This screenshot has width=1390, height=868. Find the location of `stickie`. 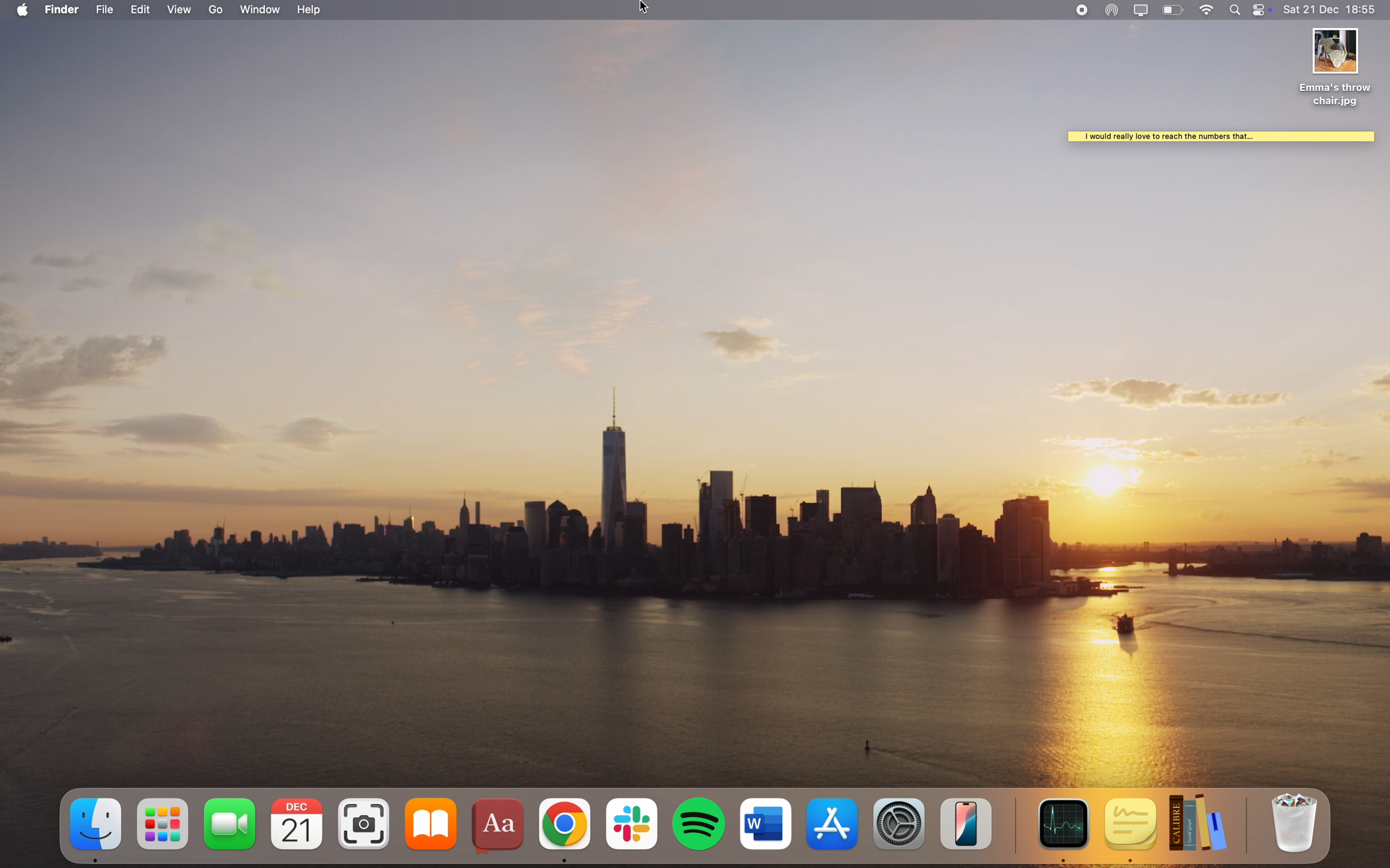

stickie is located at coordinates (1221, 139).